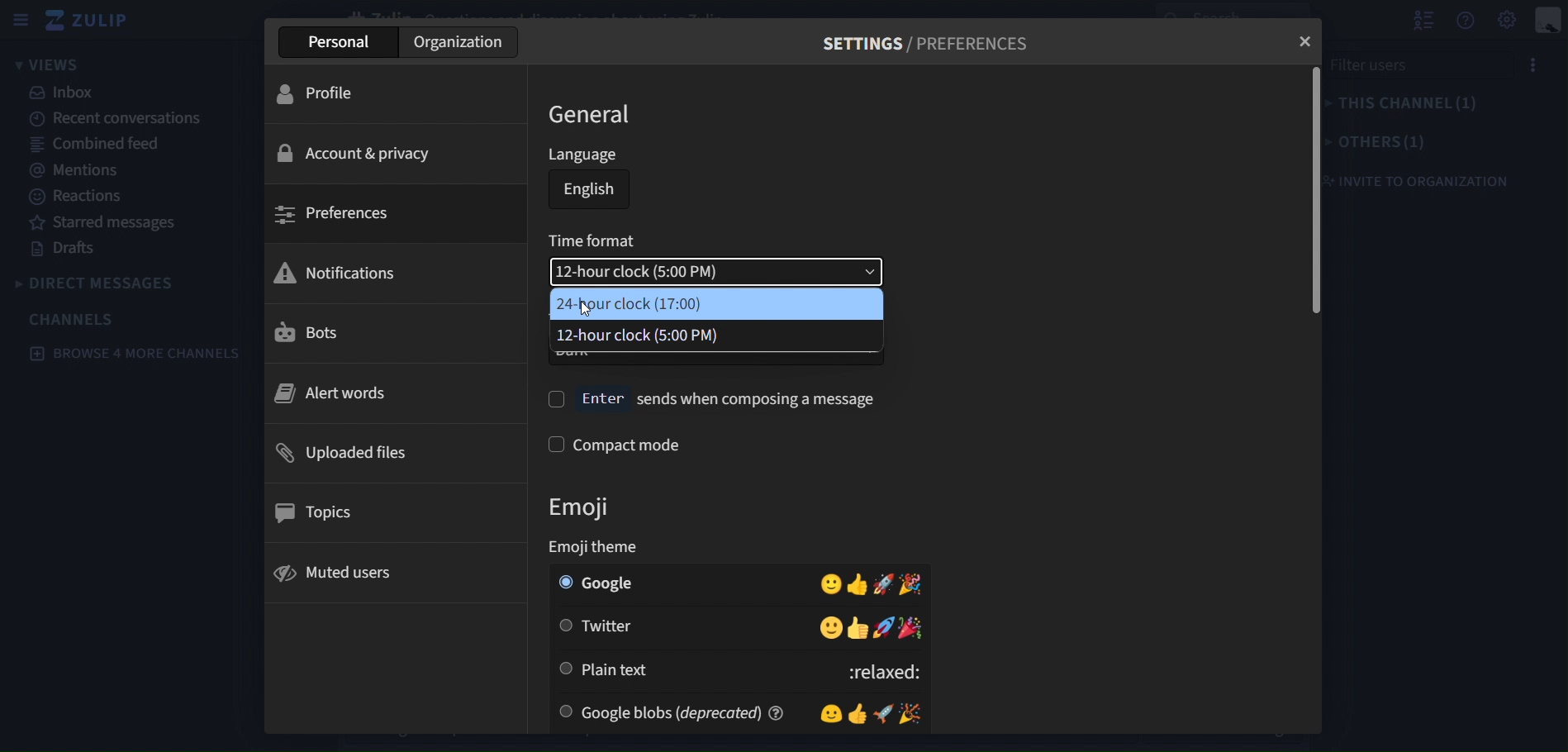 Image resolution: width=1568 pixels, height=752 pixels. Describe the element at coordinates (719, 273) in the screenshot. I see `12-hour clock(5:00 PM)` at that location.